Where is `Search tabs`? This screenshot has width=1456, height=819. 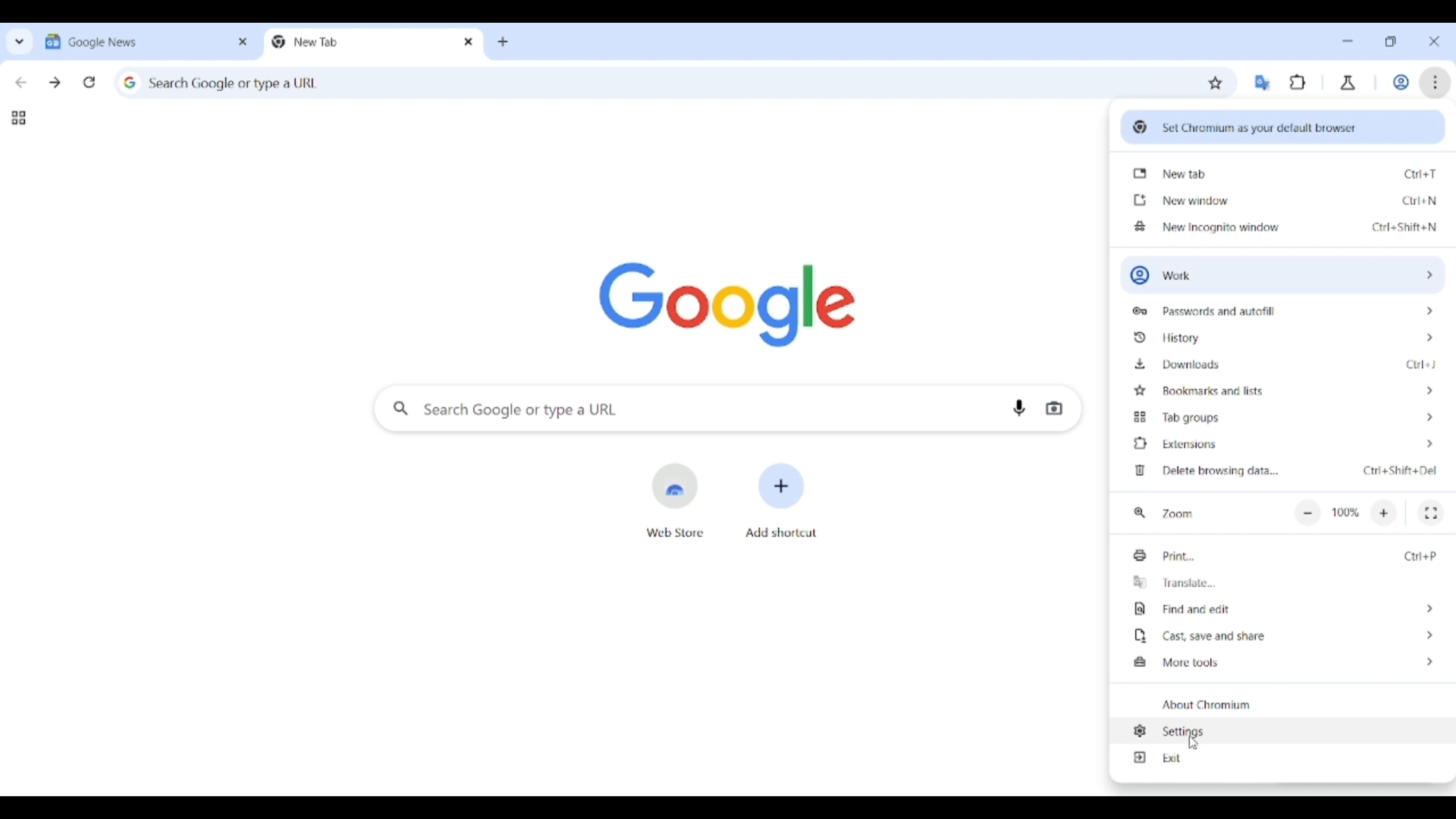
Search tabs is located at coordinates (20, 41).